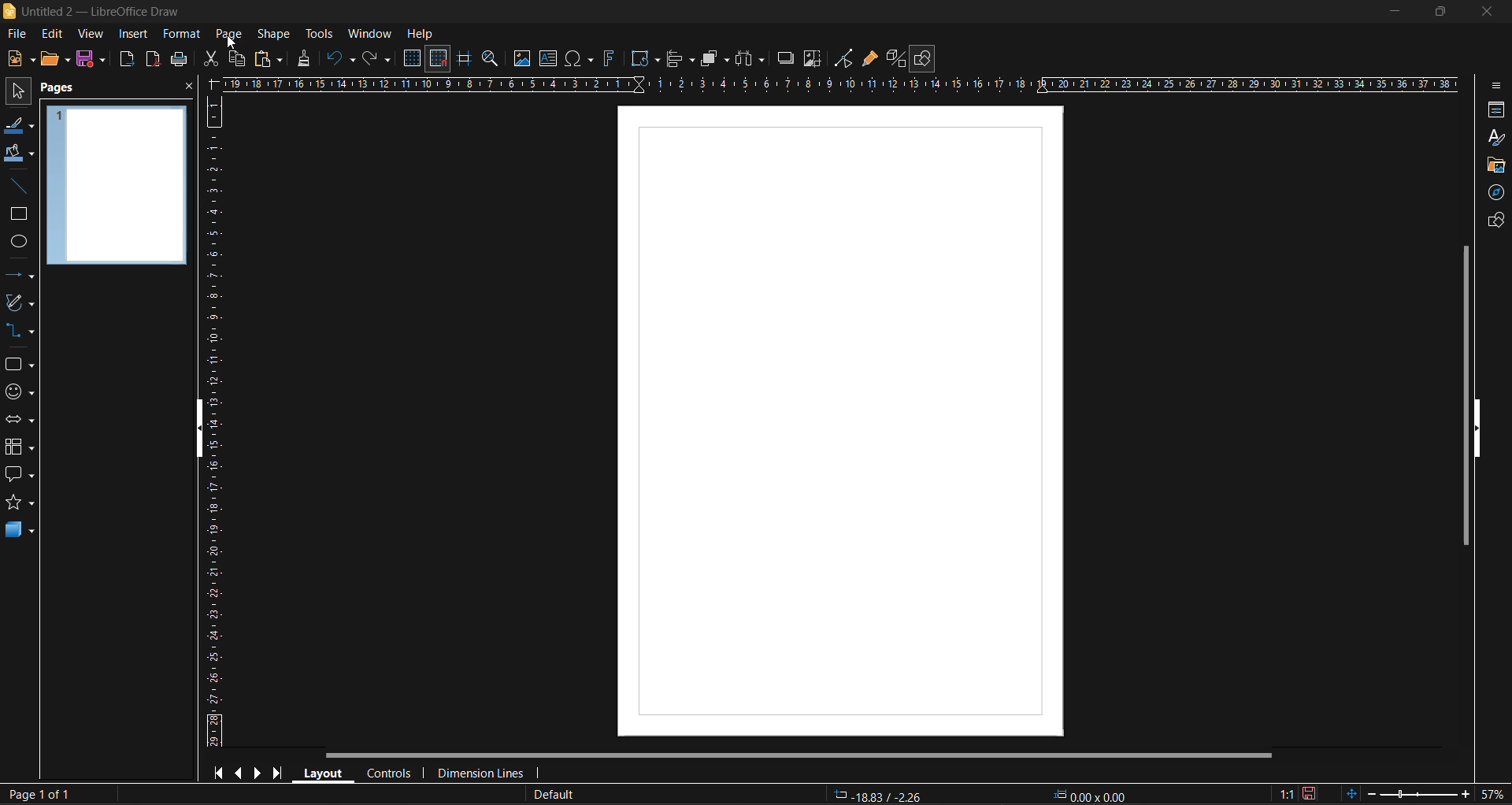 This screenshot has width=1512, height=805. Describe the element at coordinates (17, 503) in the screenshot. I see `stars and banners` at that location.